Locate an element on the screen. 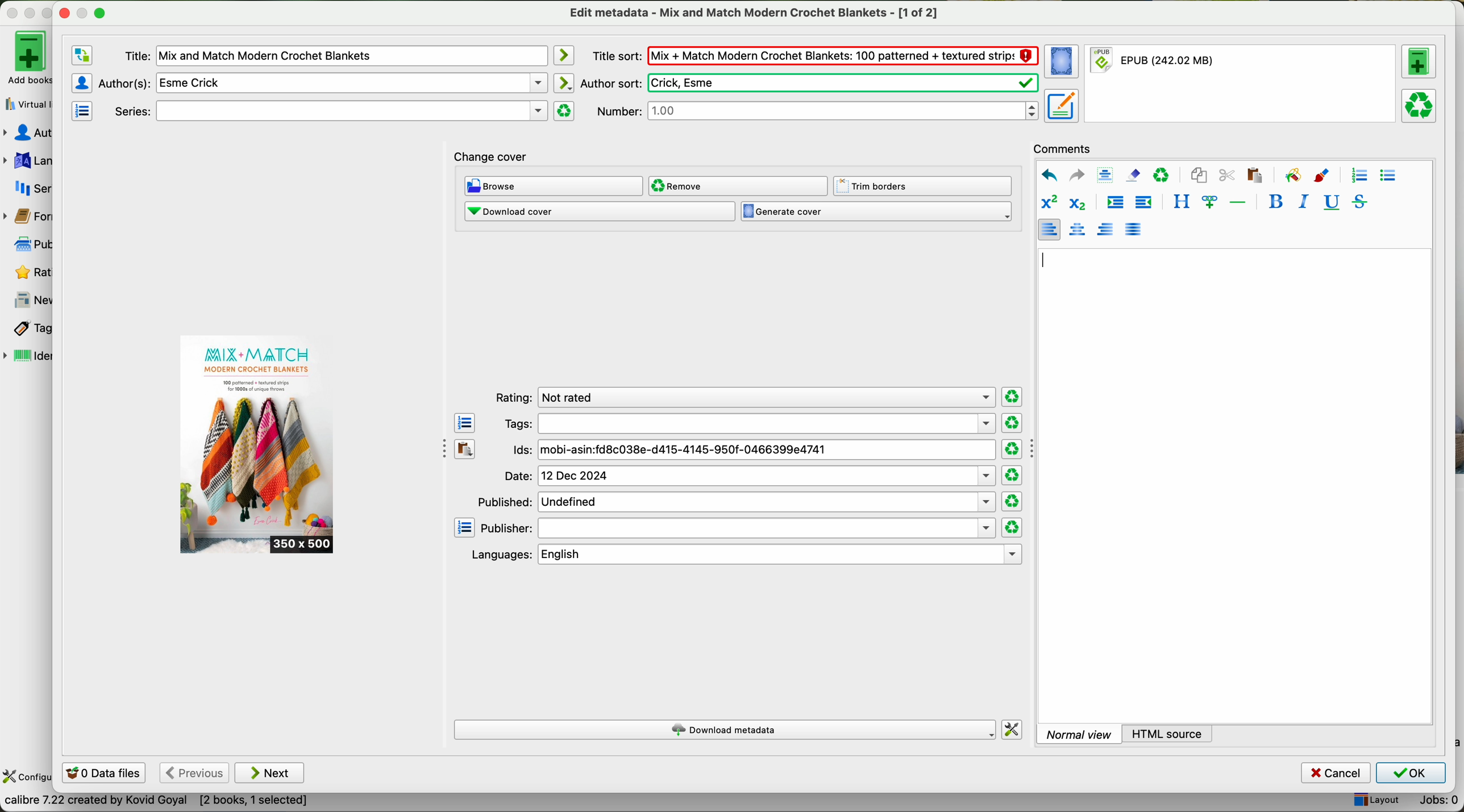 This screenshot has width=1464, height=812. set metadata for the book is located at coordinates (1060, 105).